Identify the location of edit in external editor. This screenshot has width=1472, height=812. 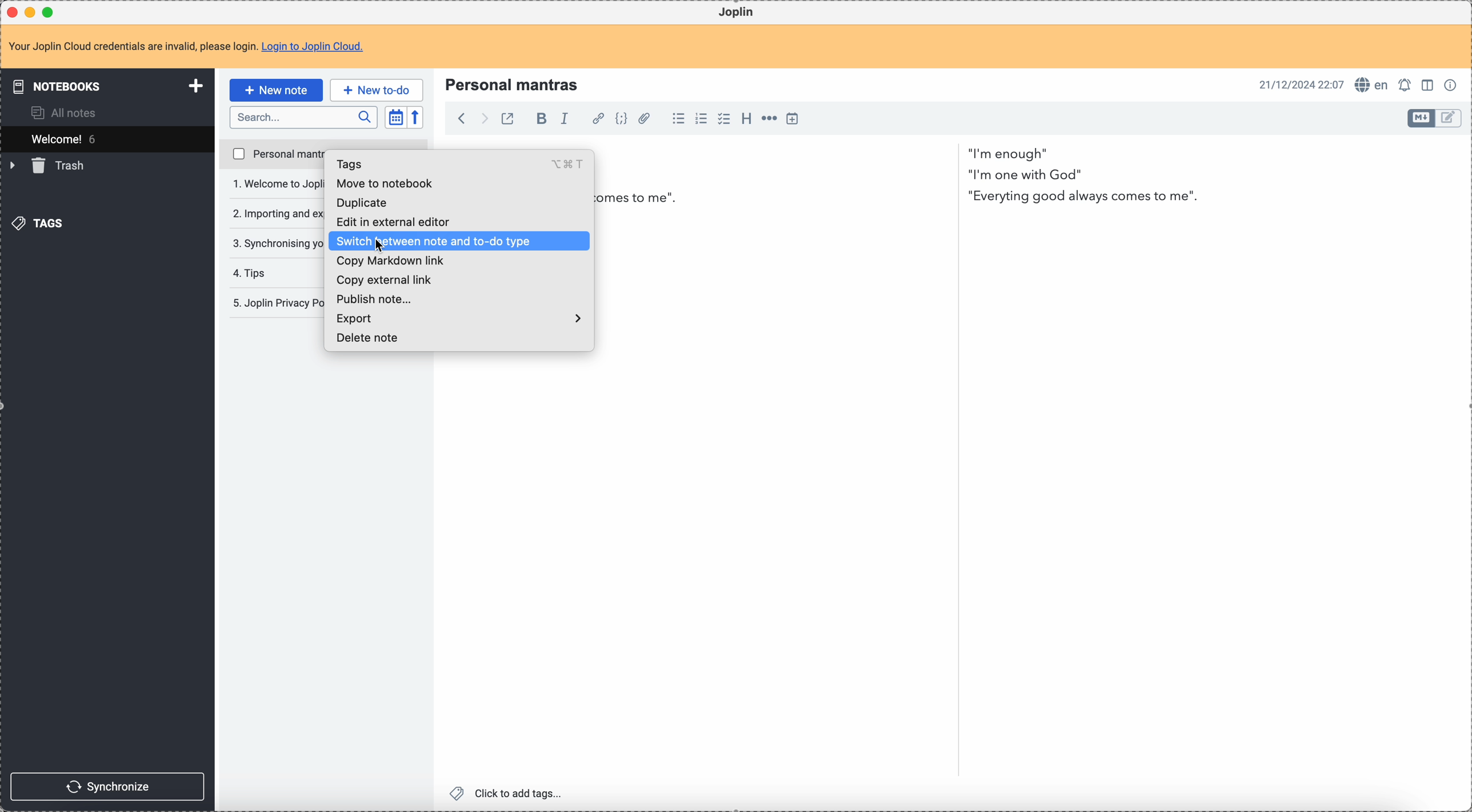
(399, 221).